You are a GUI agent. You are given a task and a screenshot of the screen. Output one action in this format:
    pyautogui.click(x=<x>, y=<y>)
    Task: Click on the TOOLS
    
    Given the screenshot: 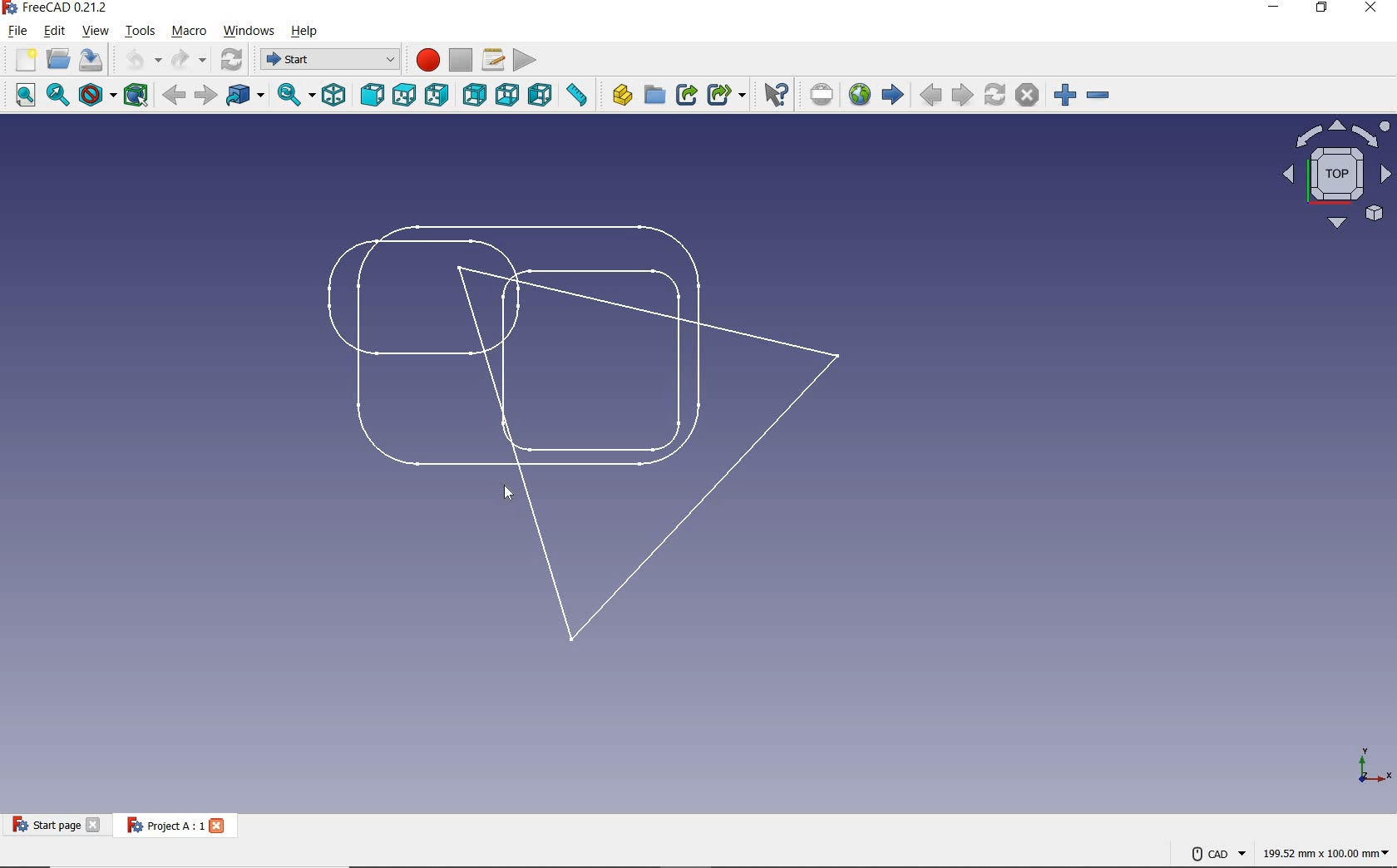 What is the action you would take?
    pyautogui.click(x=142, y=32)
    